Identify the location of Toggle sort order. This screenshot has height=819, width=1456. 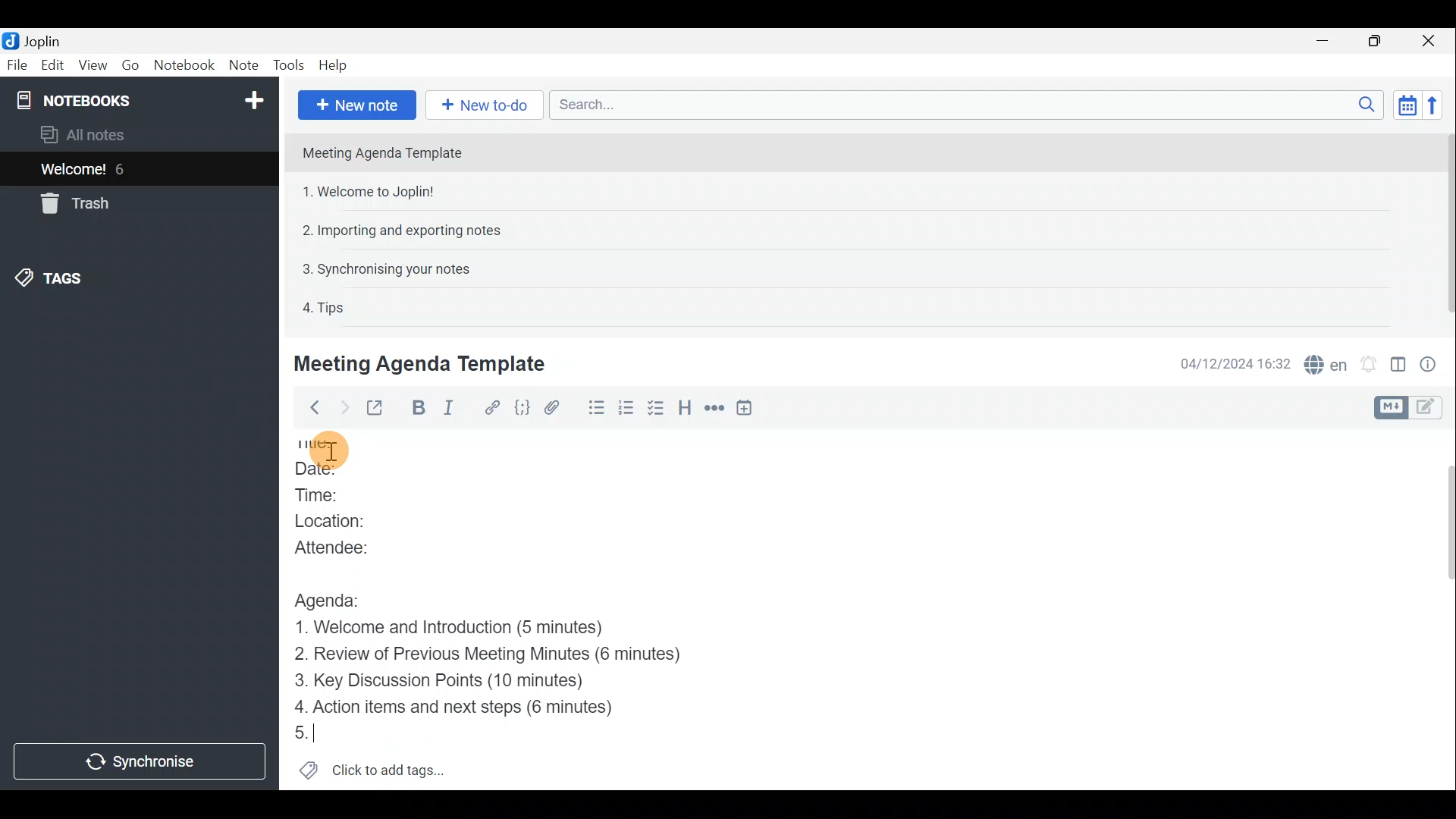
(1404, 103).